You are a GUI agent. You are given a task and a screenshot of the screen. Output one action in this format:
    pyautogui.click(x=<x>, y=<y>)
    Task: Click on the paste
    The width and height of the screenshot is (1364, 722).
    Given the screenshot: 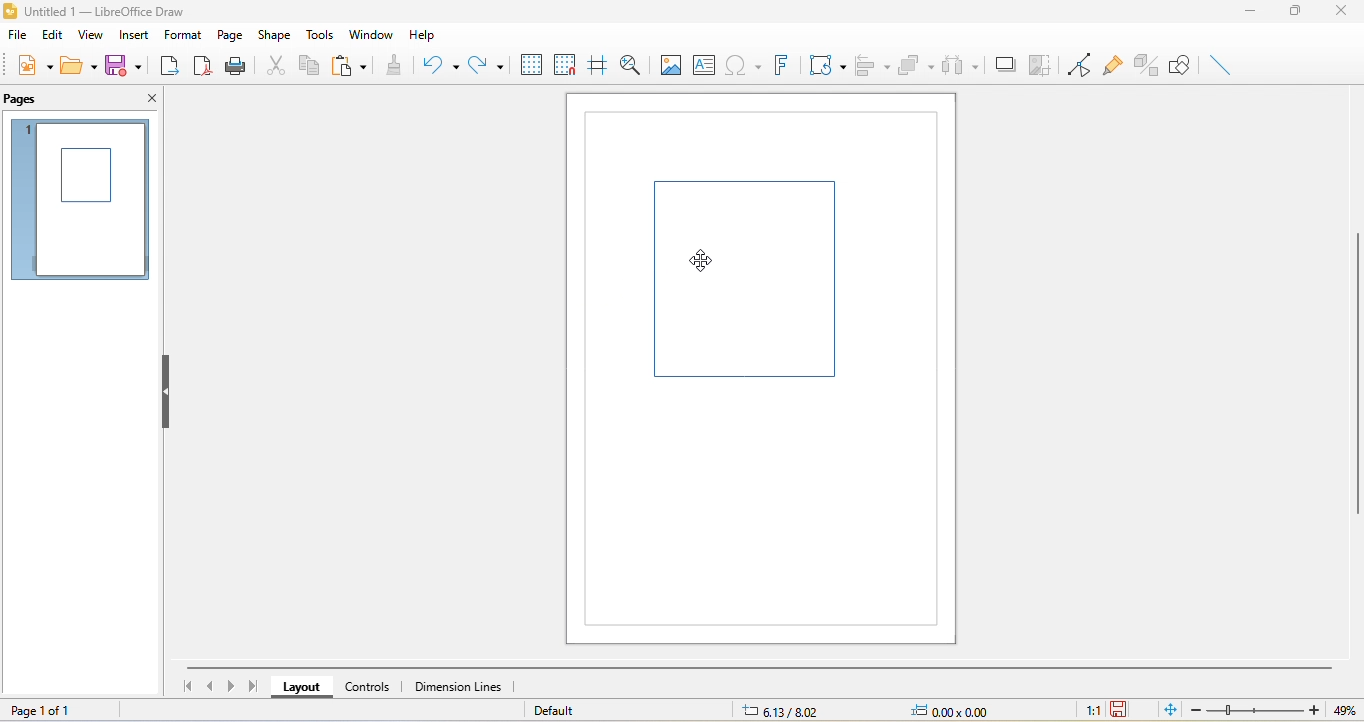 What is the action you would take?
    pyautogui.click(x=350, y=62)
    